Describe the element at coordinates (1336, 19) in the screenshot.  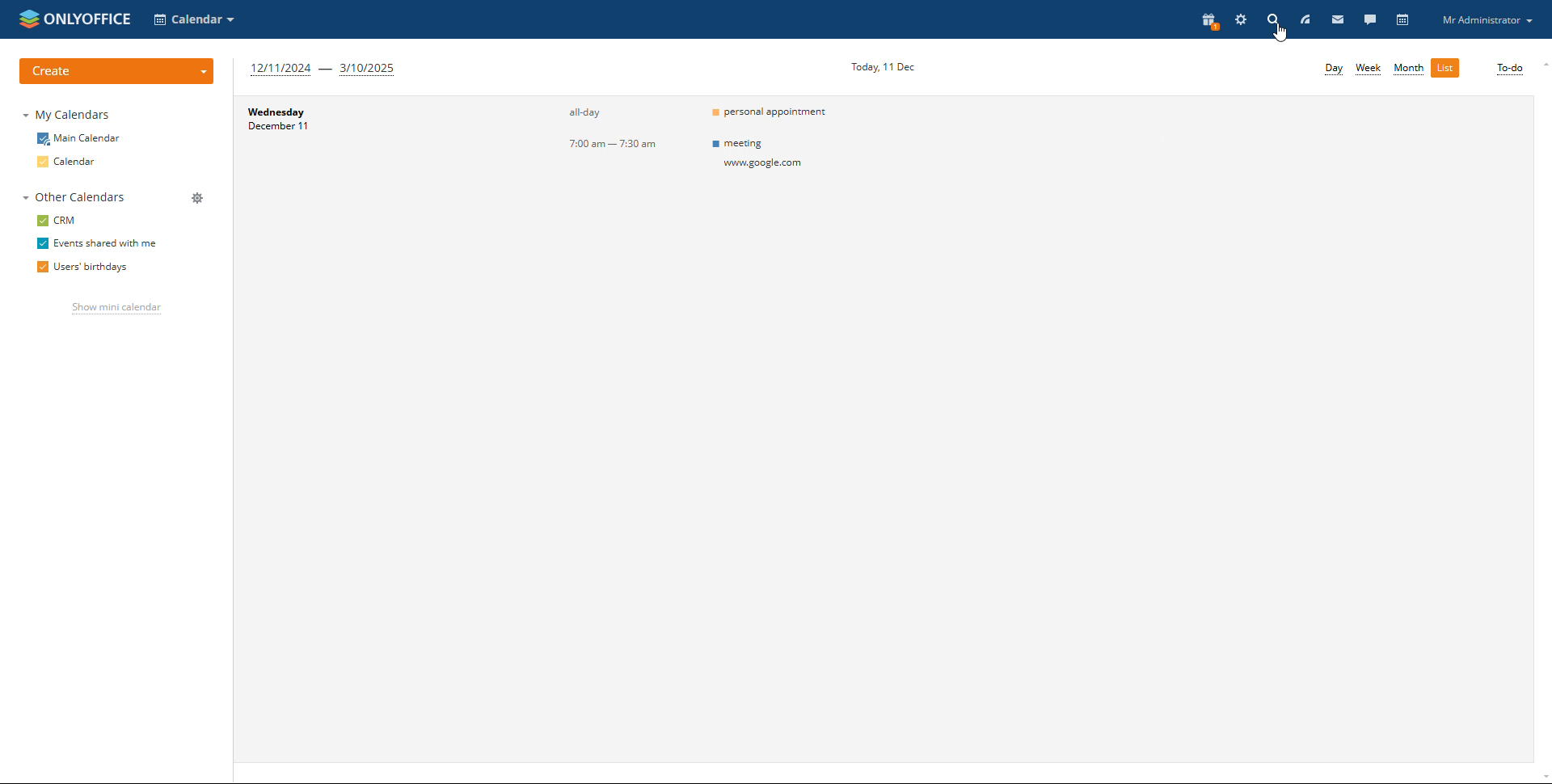
I see `mail` at that location.